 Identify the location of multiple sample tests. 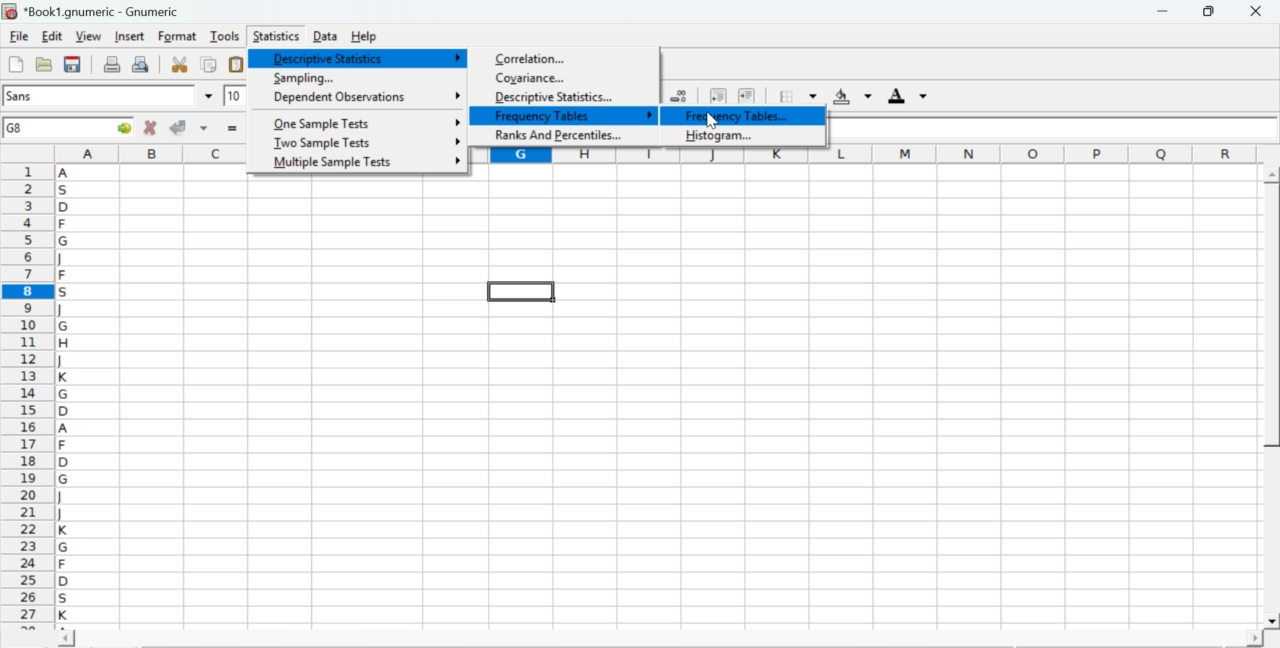
(332, 163).